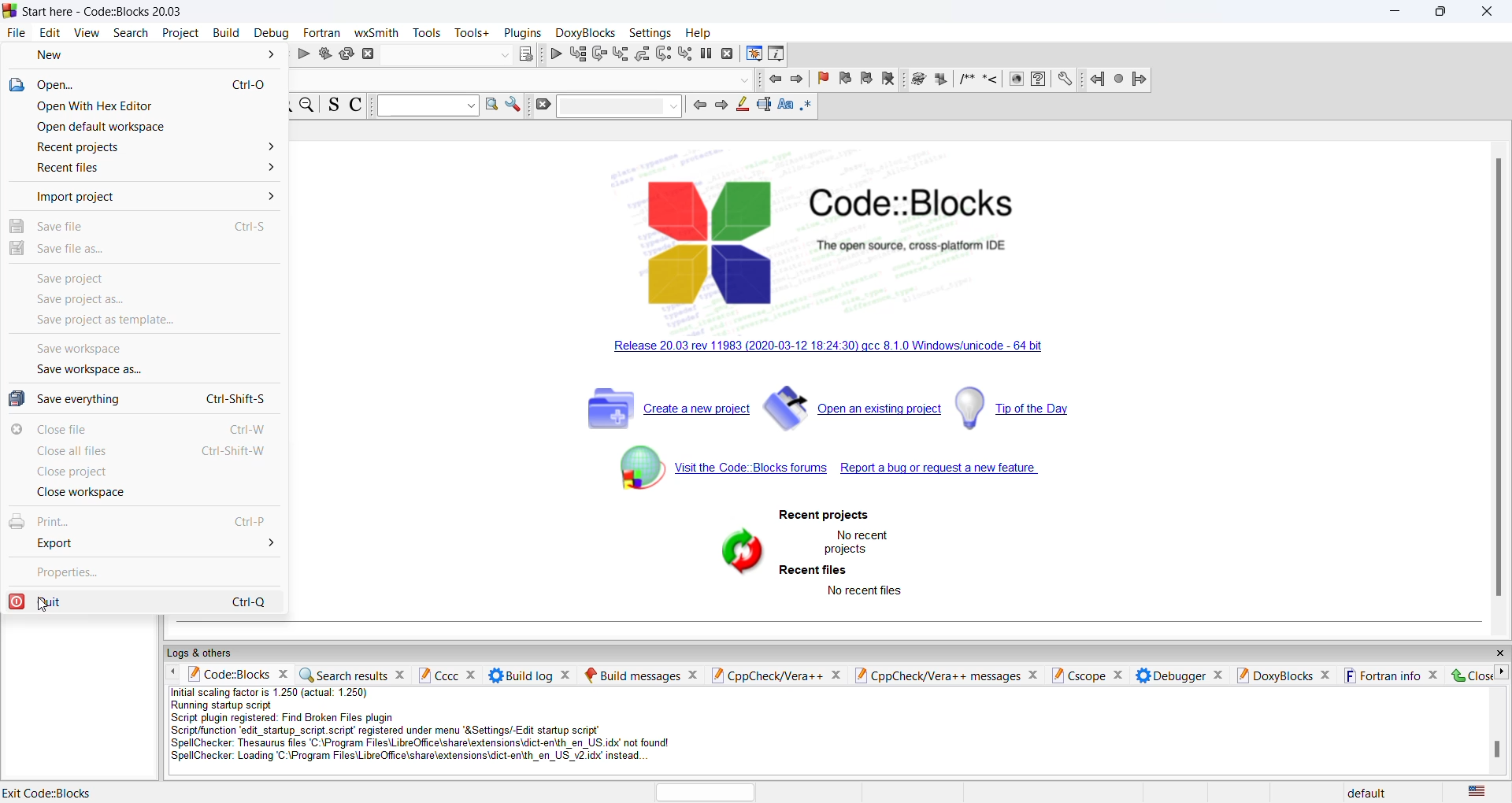 The width and height of the screenshot is (1512, 803). I want to click on bookmark, so click(821, 78).